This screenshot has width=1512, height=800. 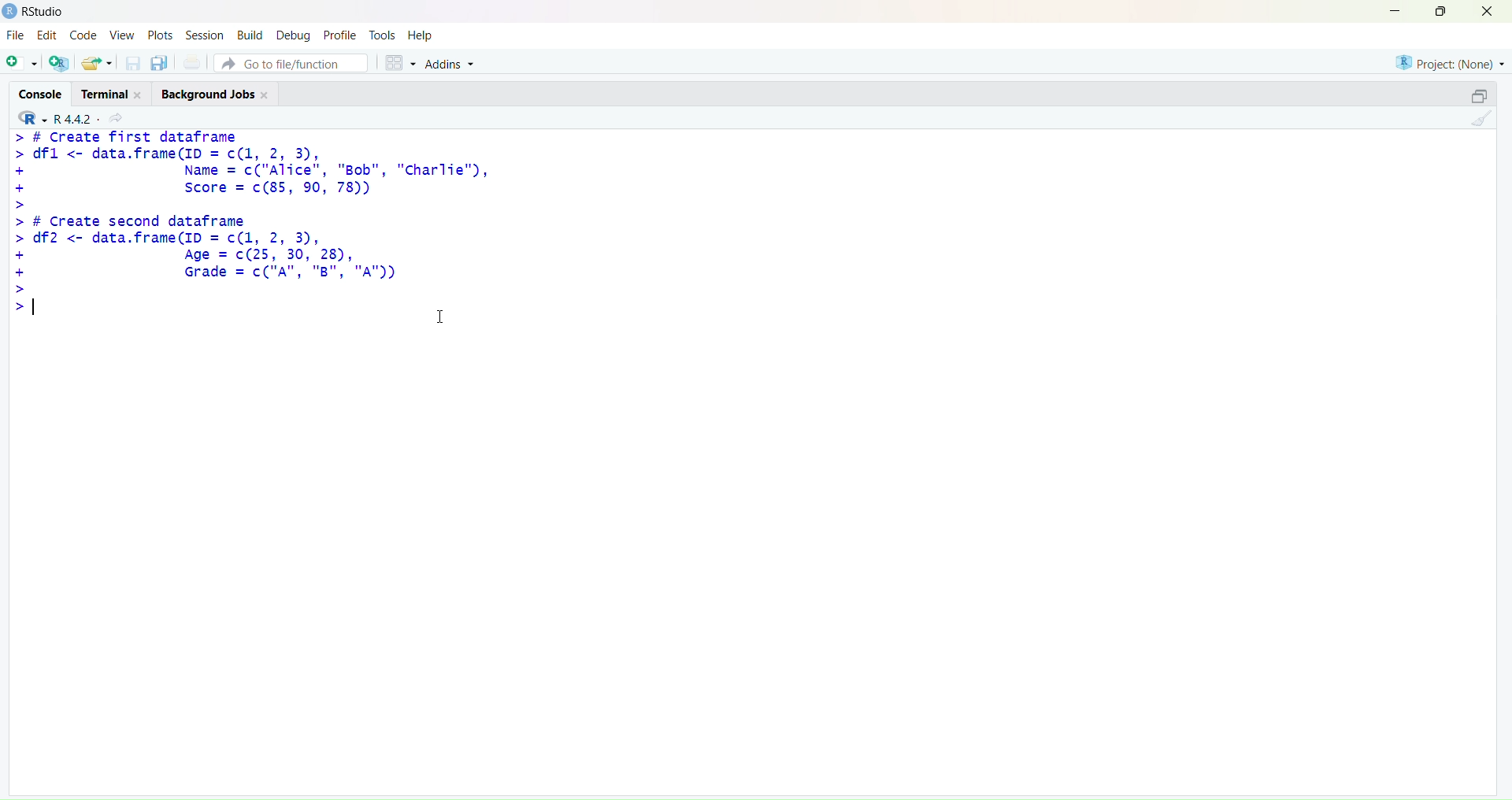 I want to click on Debug, so click(x=293, y=36).